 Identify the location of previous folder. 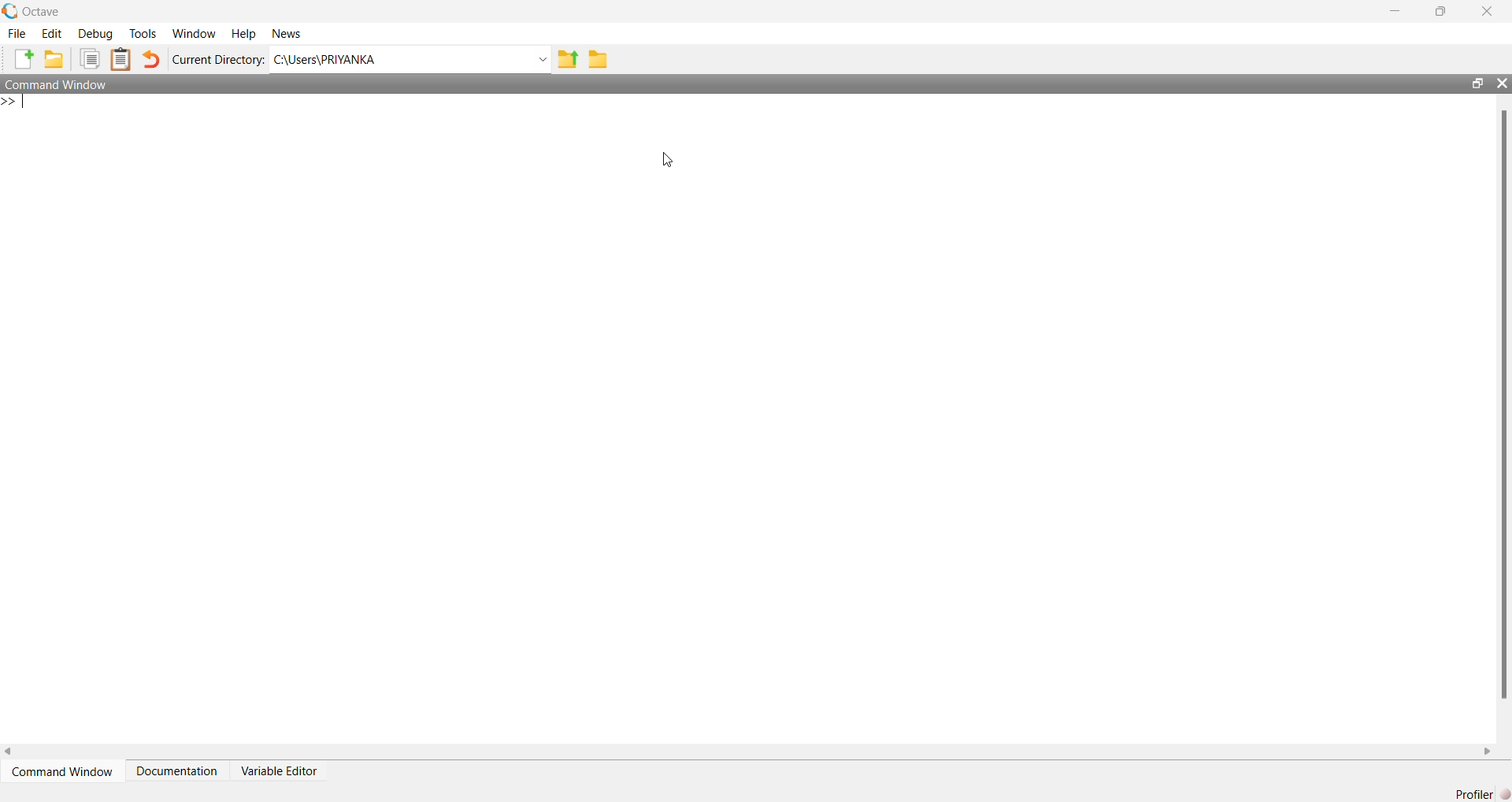
(567, 61).